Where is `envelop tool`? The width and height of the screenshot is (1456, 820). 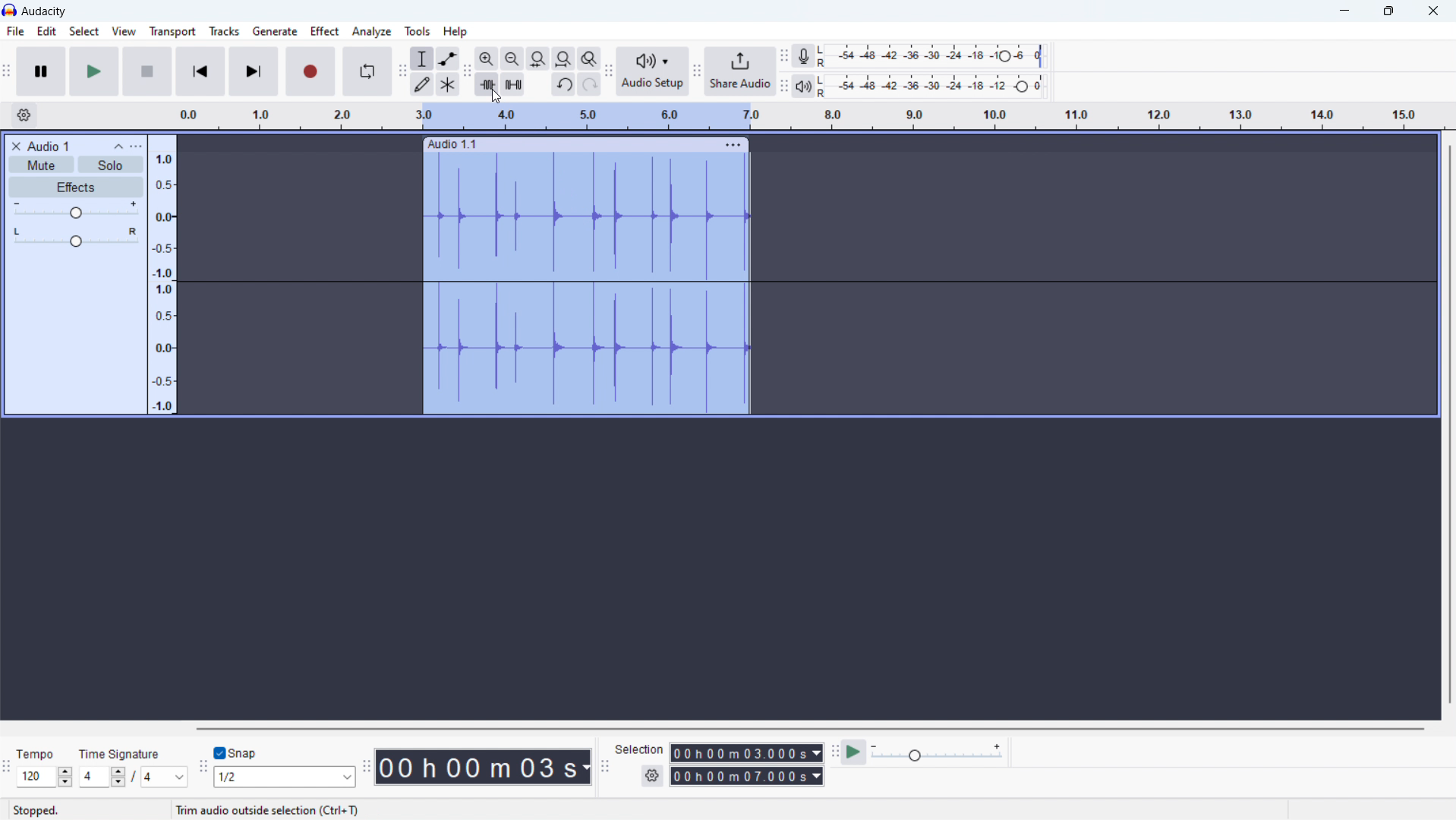 envelop tool is located at coordinates (449, 58).